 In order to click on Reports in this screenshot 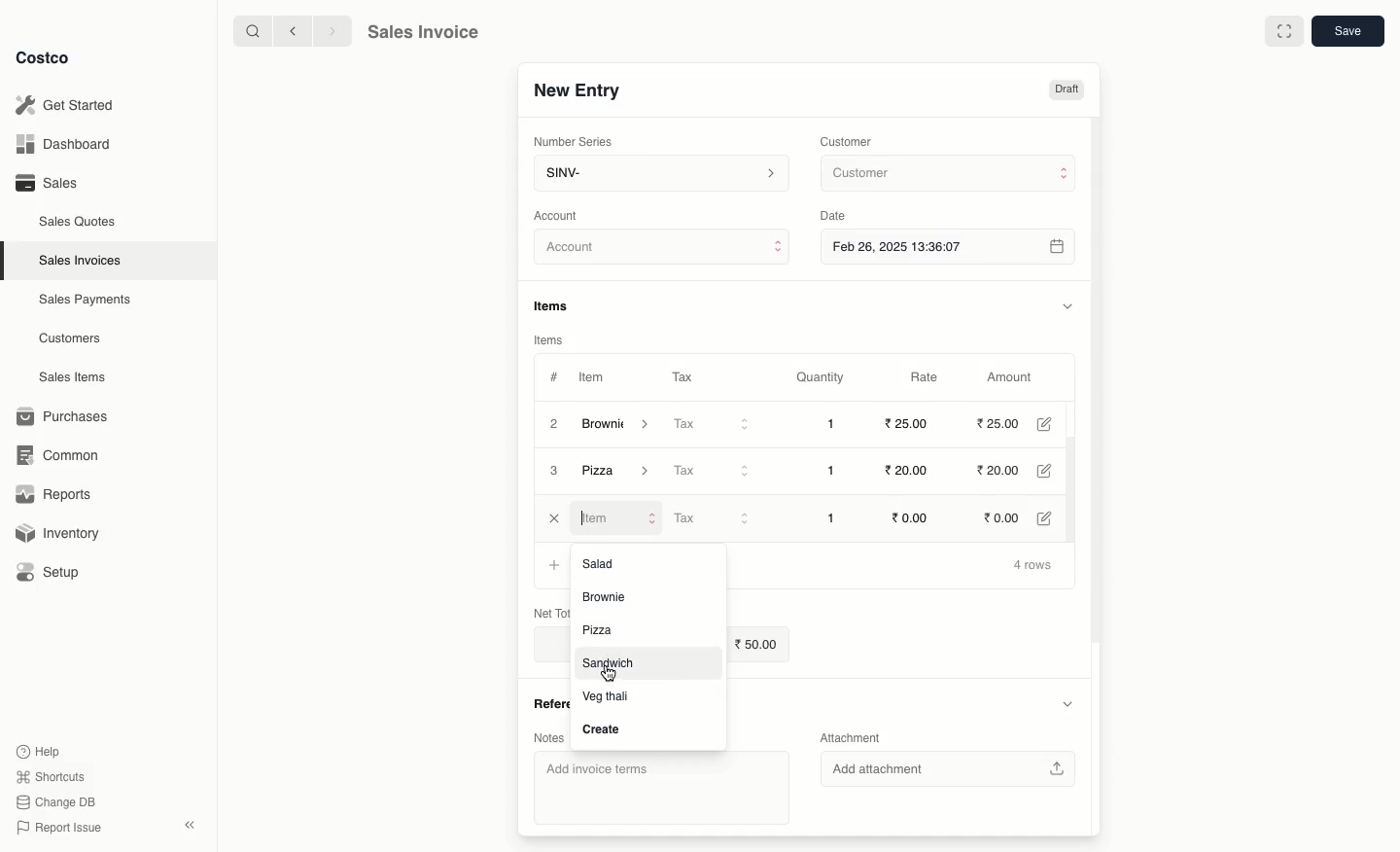, I will do `click(54, 496)`.